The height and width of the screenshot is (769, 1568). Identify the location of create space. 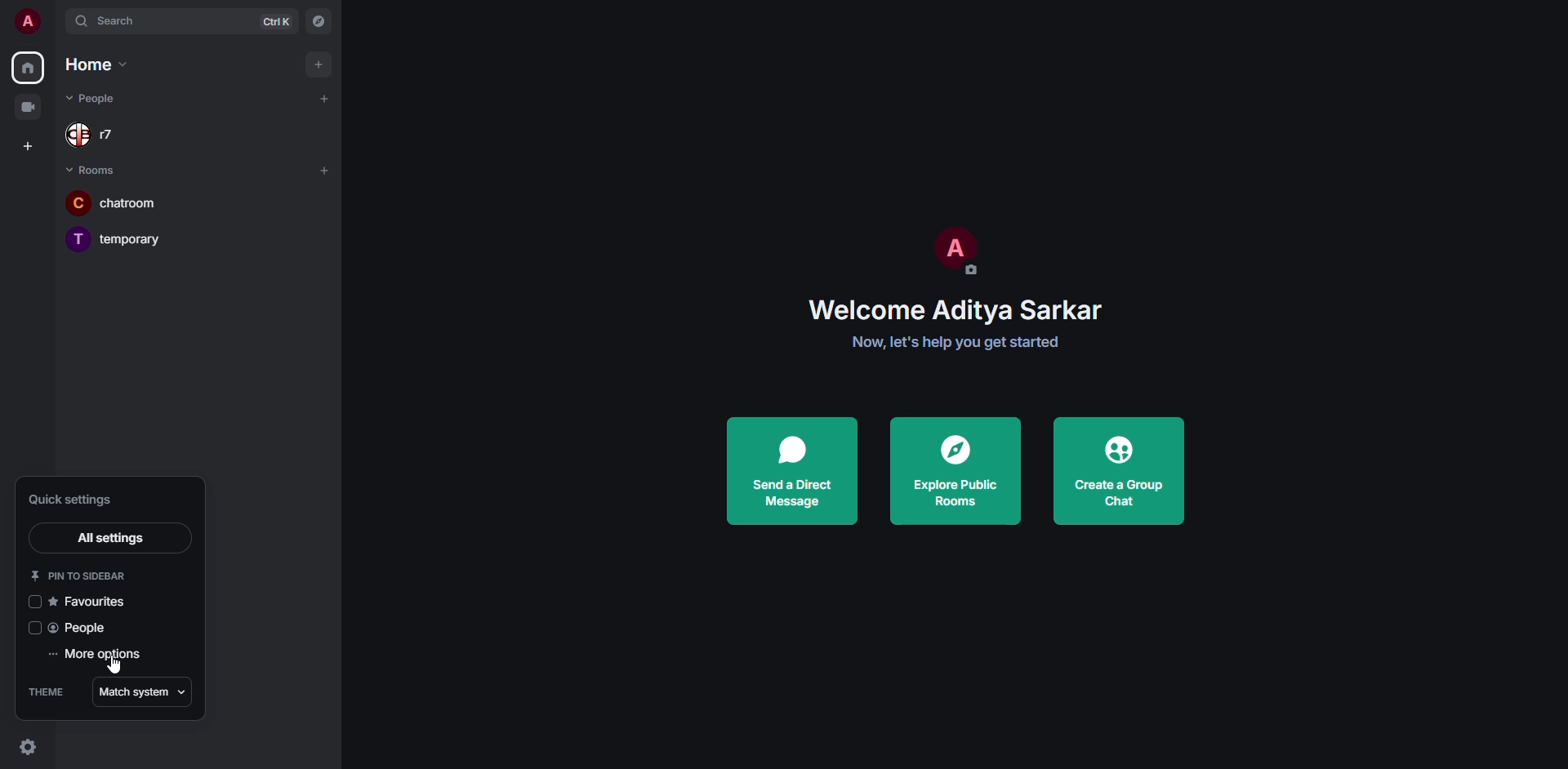
(27, 146).